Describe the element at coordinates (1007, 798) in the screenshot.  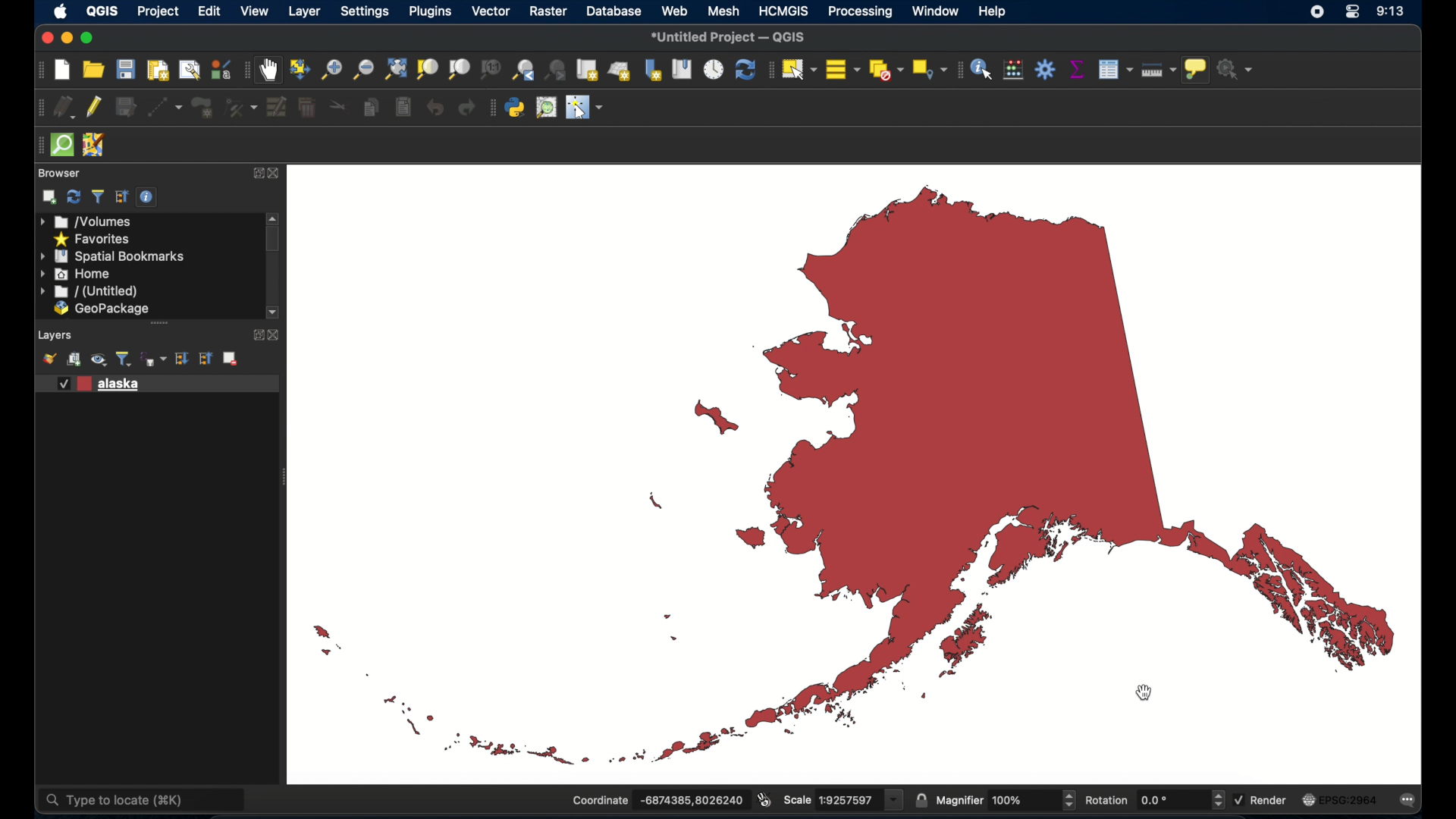
I see `magnifier` at that location.